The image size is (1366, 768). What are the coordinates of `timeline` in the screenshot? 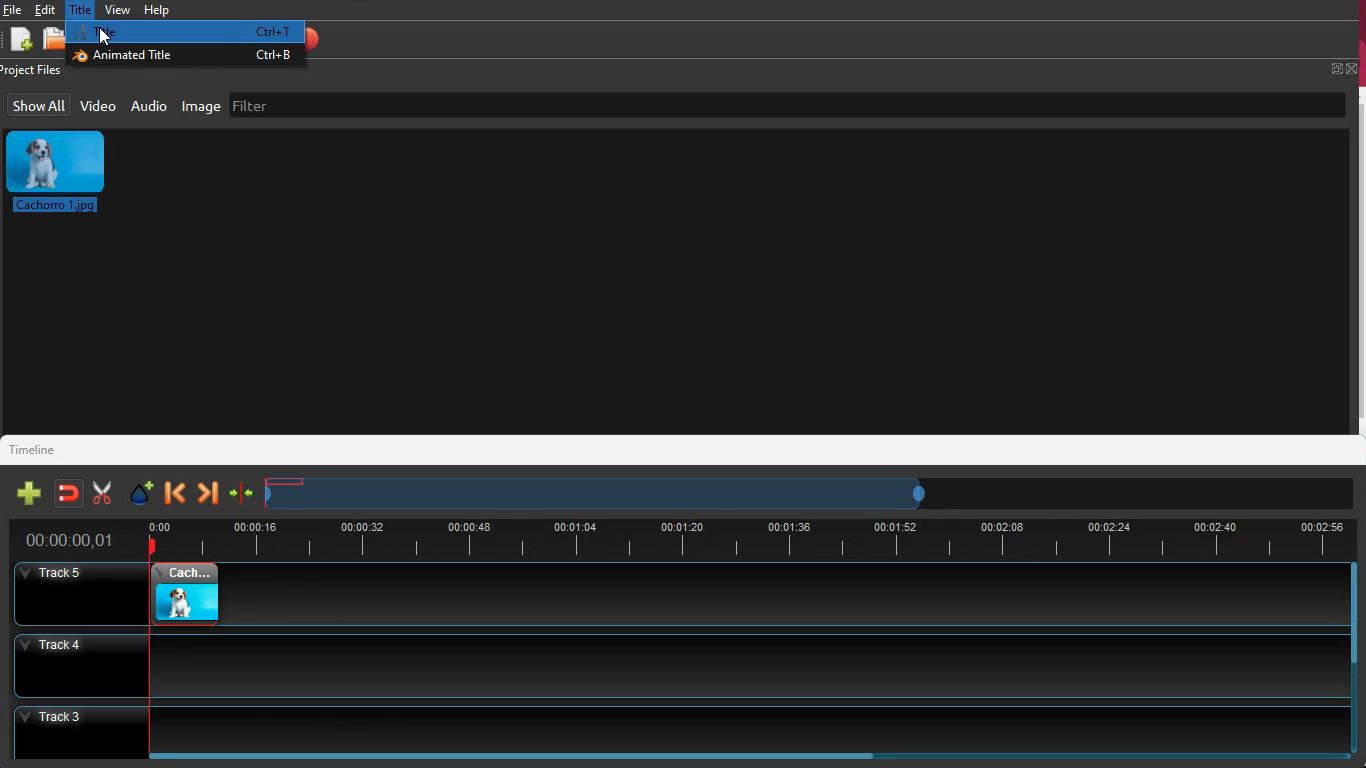 It's located at (41, 448).